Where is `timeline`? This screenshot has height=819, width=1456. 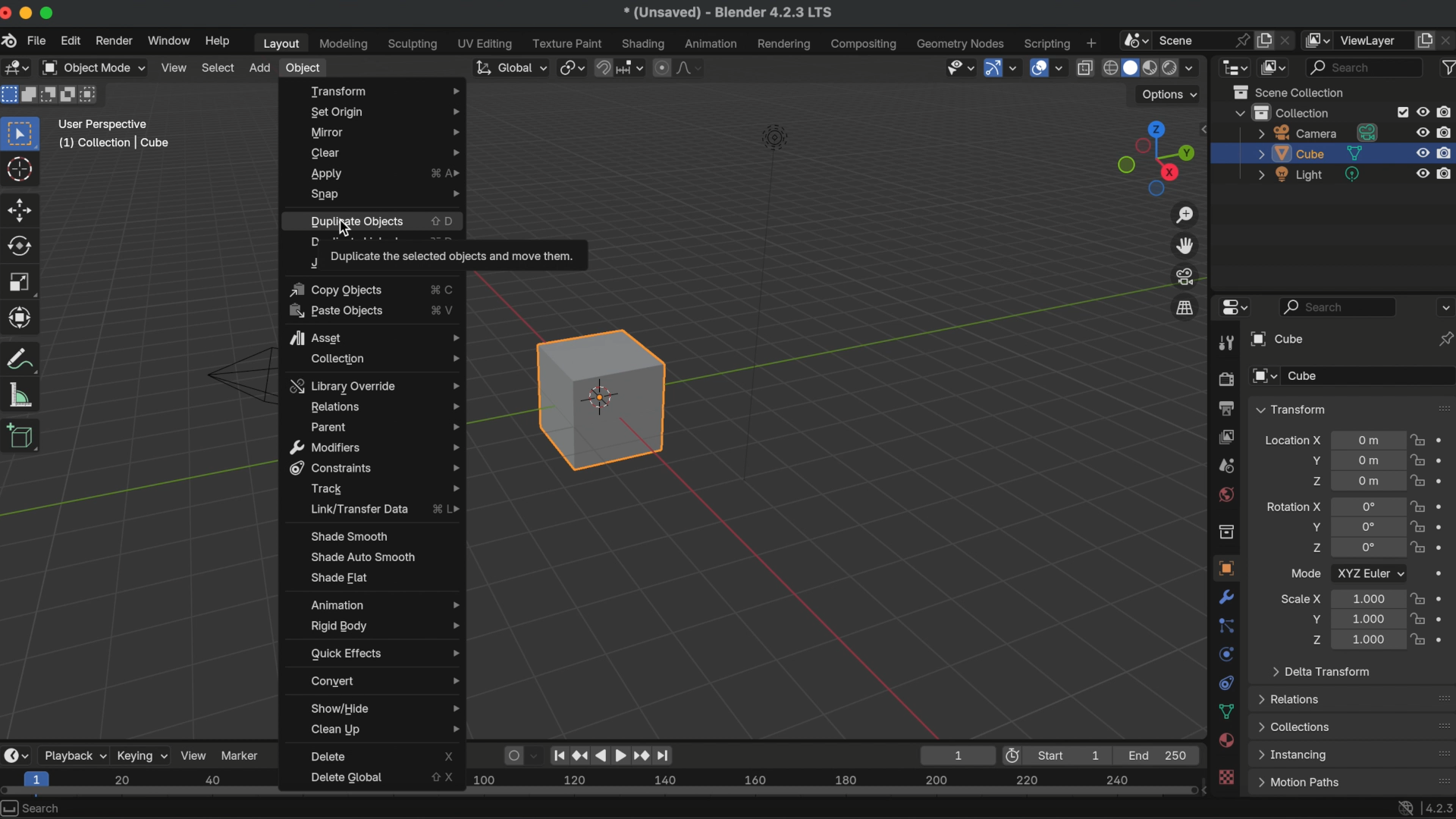 timeline is located at coordinates (141, 783).